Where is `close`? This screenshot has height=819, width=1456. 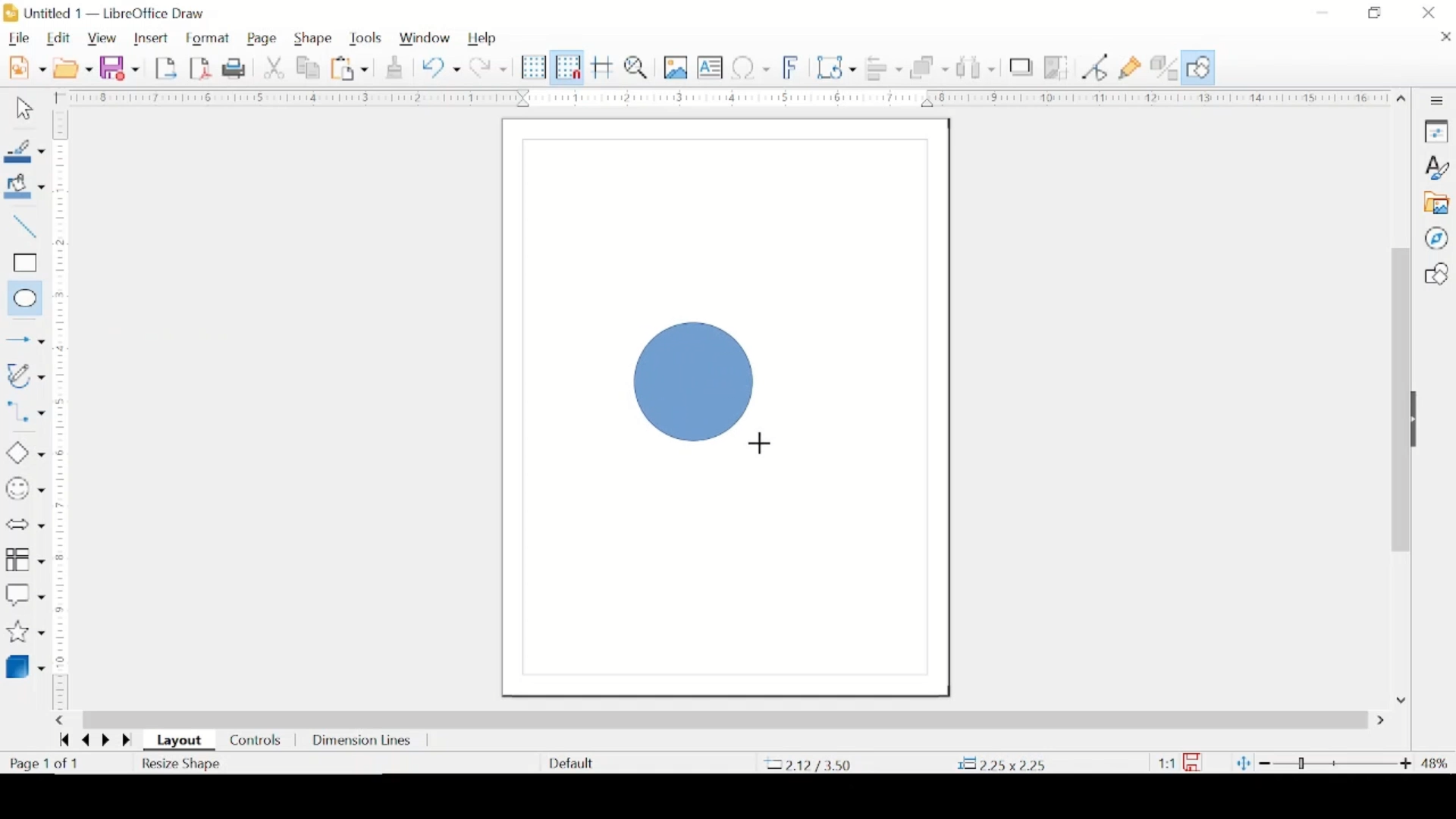 close is located at coordinates (1430, 12).